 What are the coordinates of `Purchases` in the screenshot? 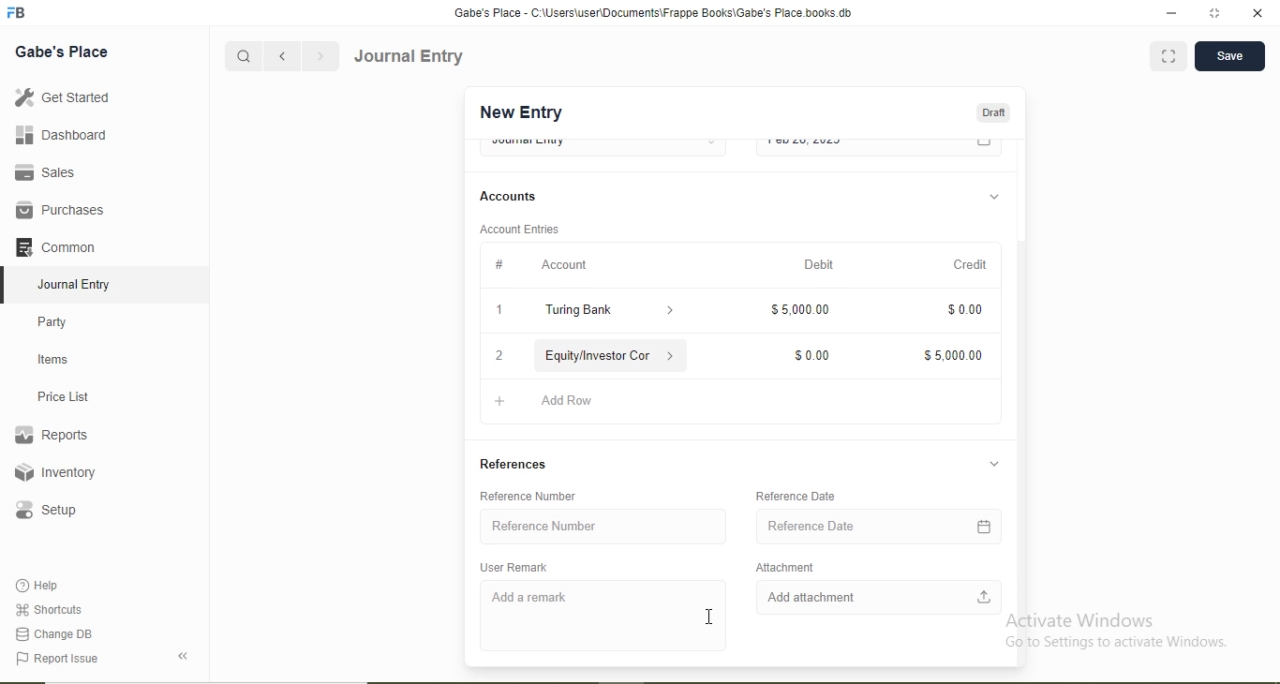 It's located at (59, 210).